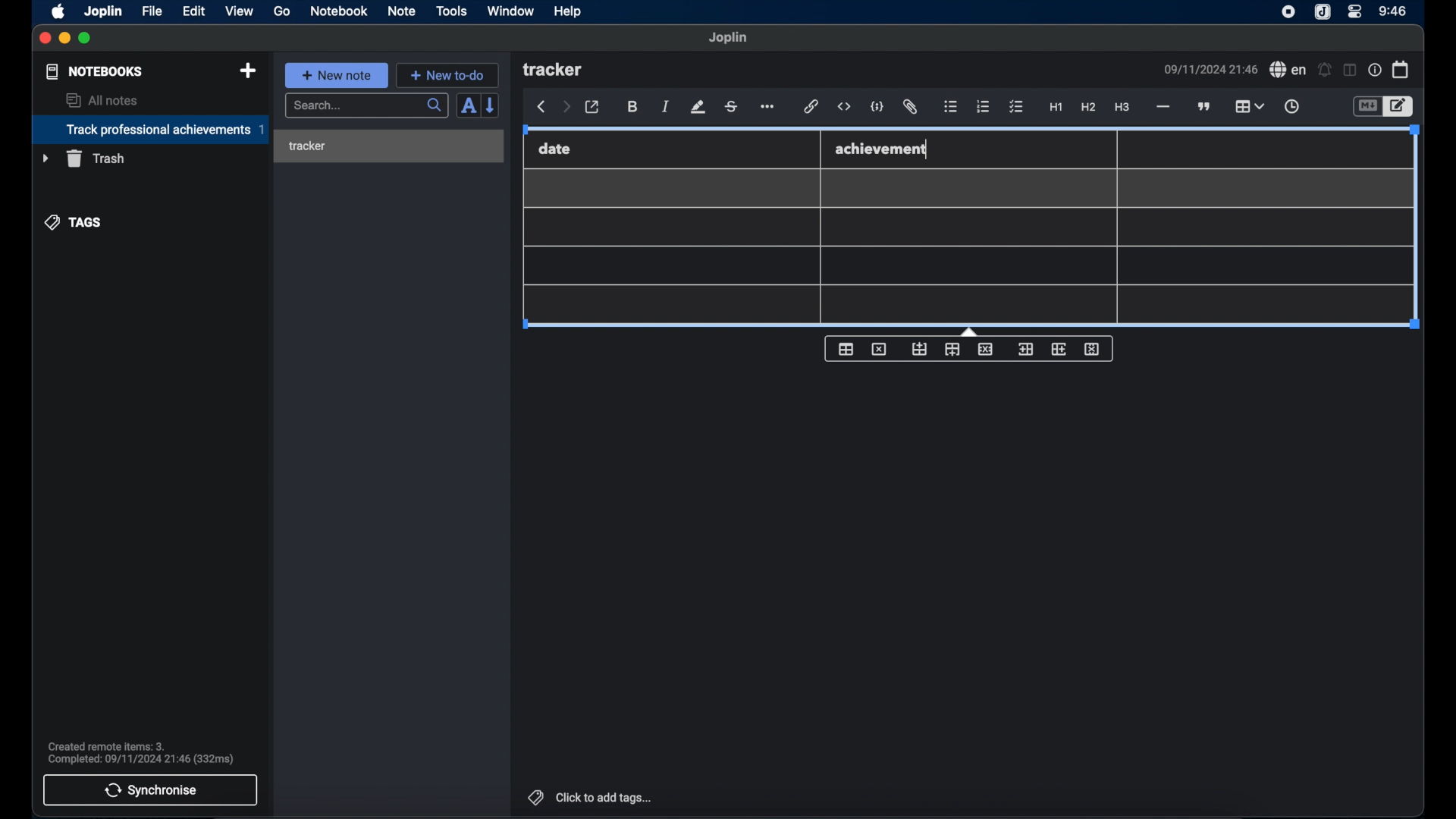 This screenshot has width=1456, height=819. Describe the element at coordinates (985, 349) in the screenshot. I see `delete row` at that location.